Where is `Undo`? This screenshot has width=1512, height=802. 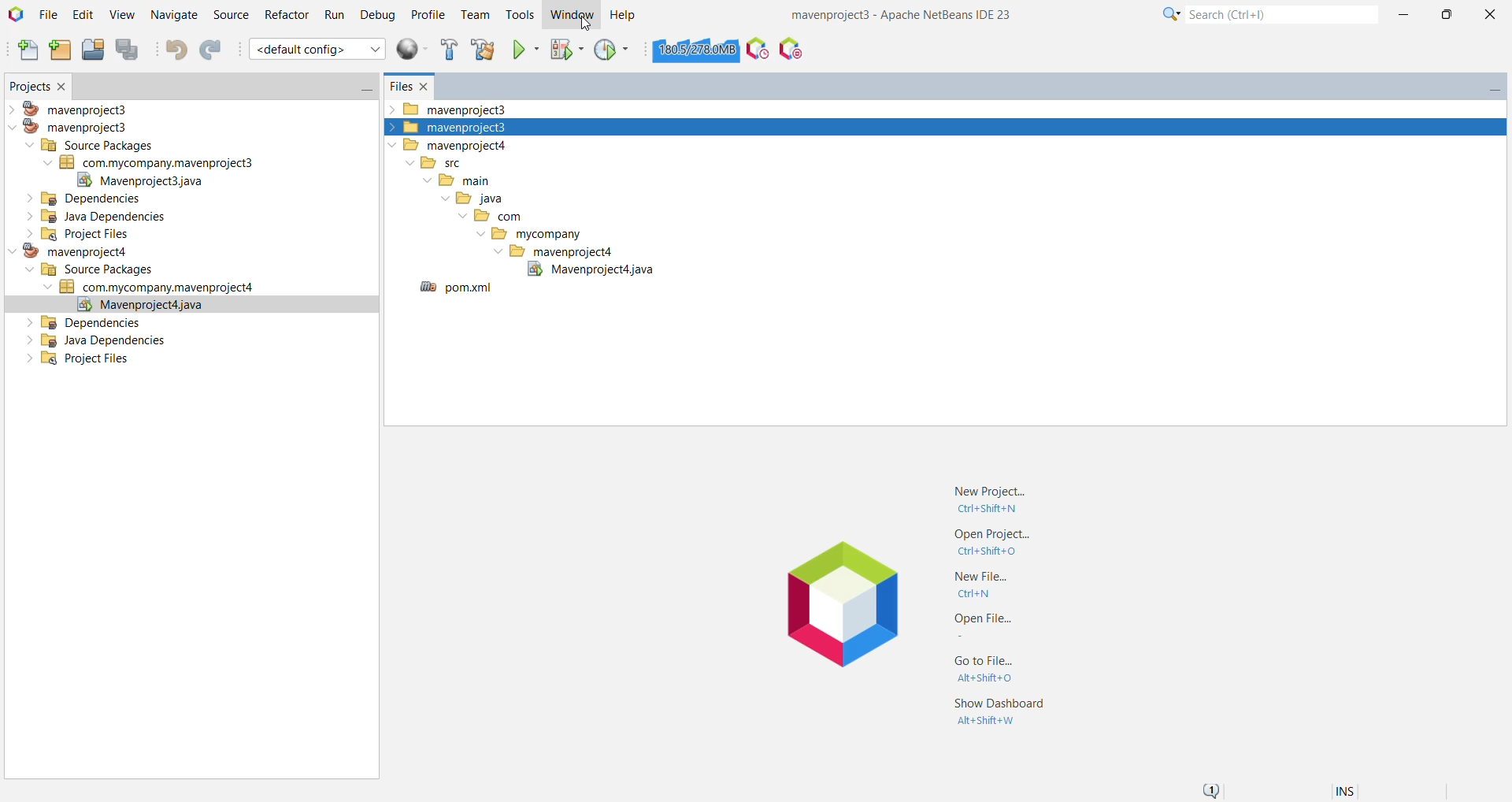
Undo is located at coordinates (176, 48).